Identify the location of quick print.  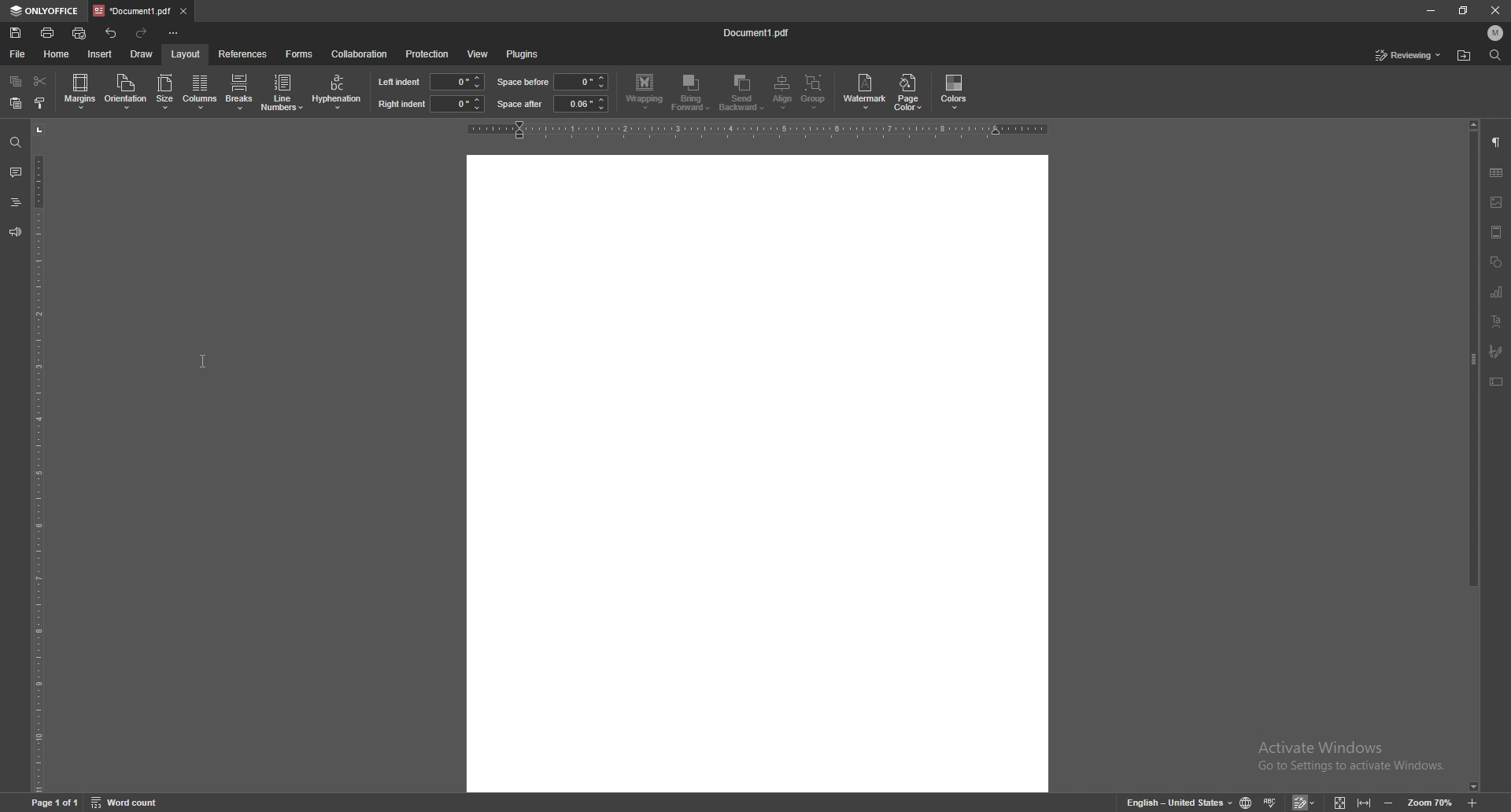
(80, 33).